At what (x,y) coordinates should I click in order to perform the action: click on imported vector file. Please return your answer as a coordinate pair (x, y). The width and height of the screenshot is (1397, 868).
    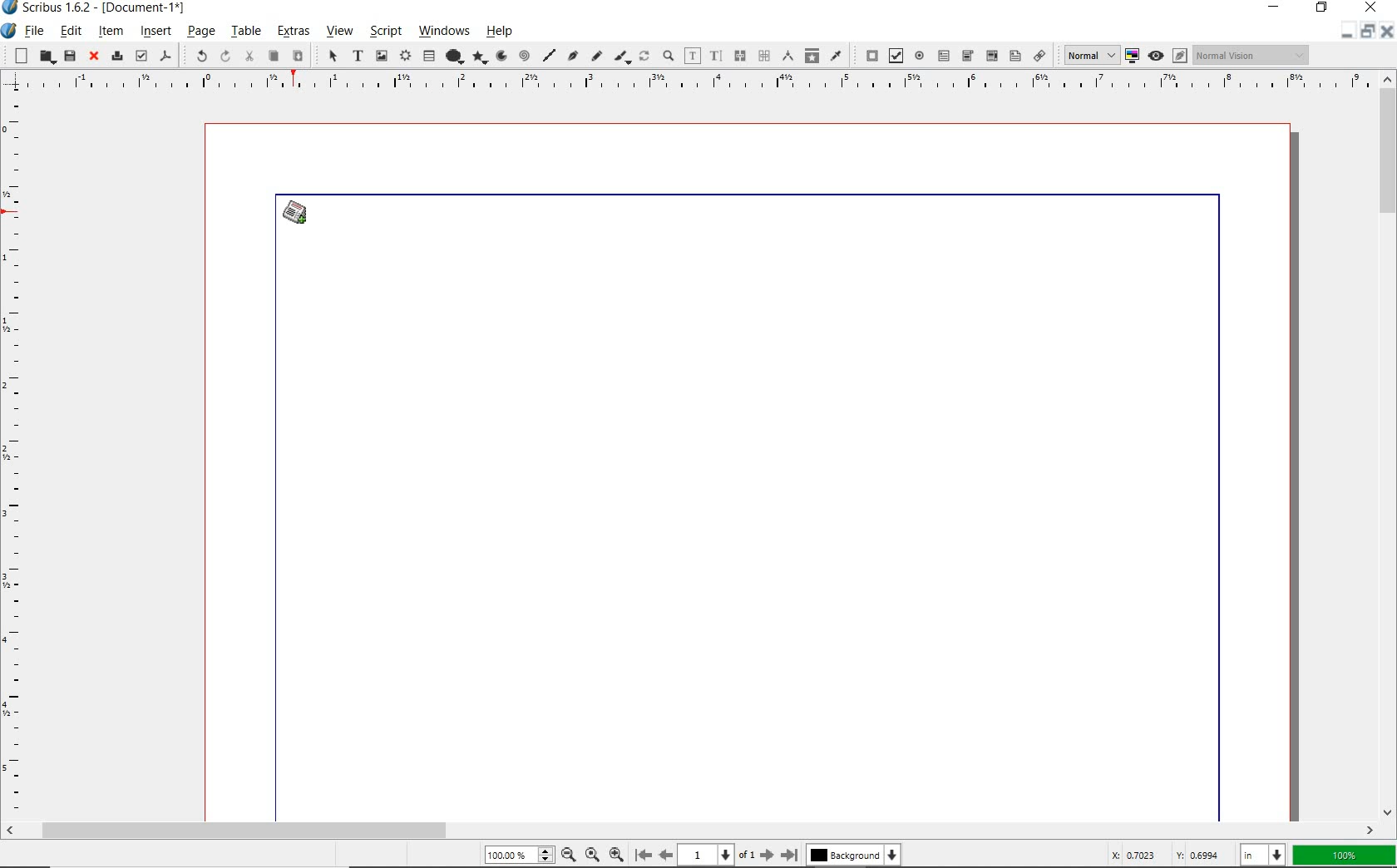
    Looking at the image, I should click on (300, 213).